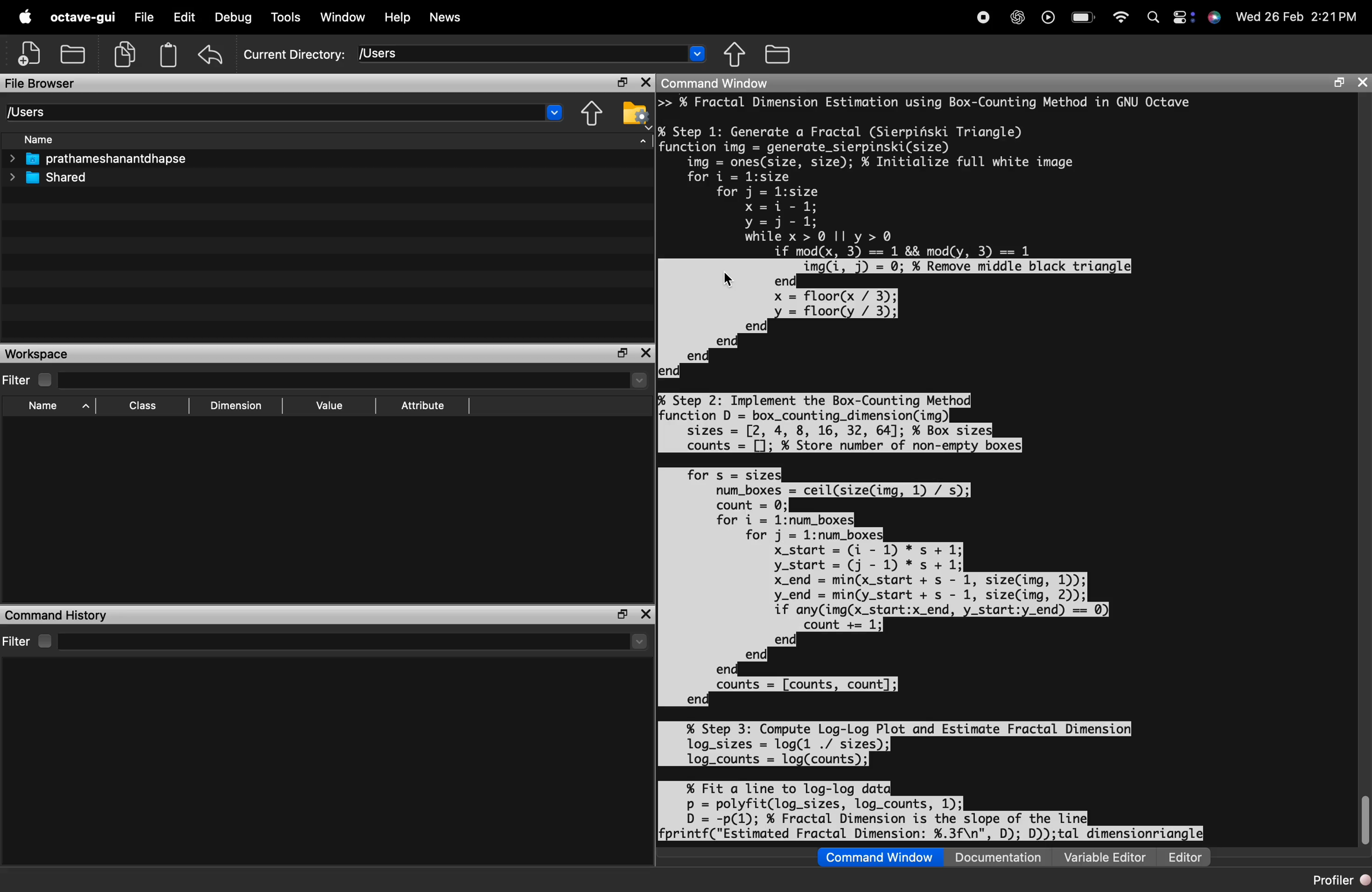  Describe the element at coordinates (184, 16) in the screenshot. I see `Edit` at that location.